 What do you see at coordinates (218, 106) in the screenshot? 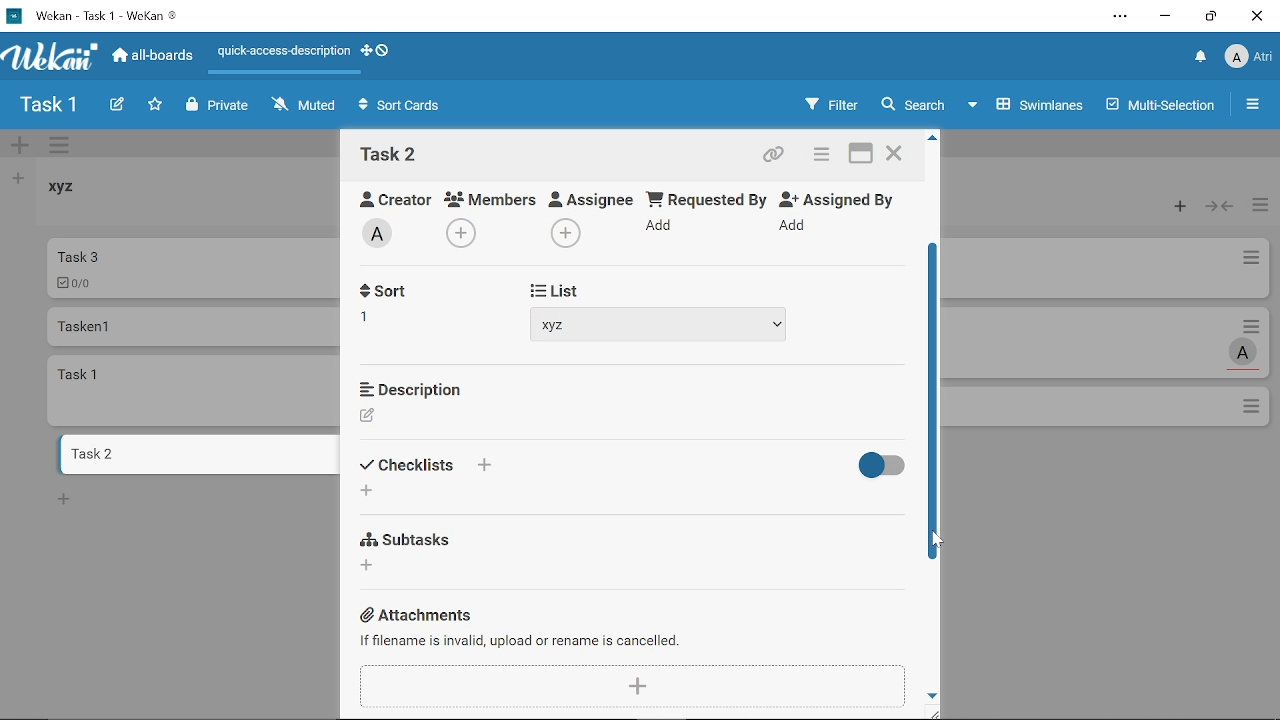
I see `Private` at bounding box center [218, 106].